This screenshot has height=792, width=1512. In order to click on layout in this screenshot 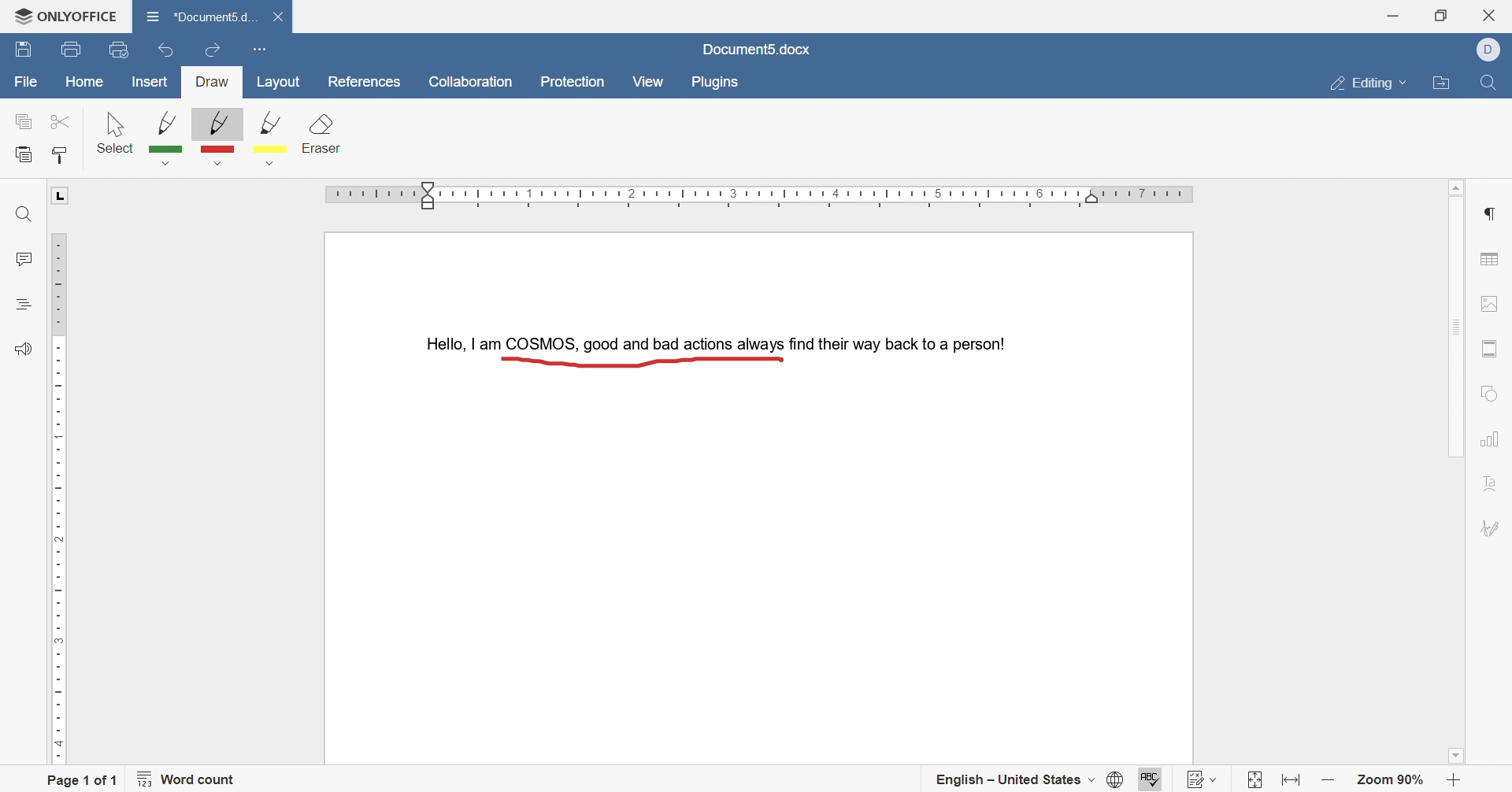, I will do `click(282, 83)`.